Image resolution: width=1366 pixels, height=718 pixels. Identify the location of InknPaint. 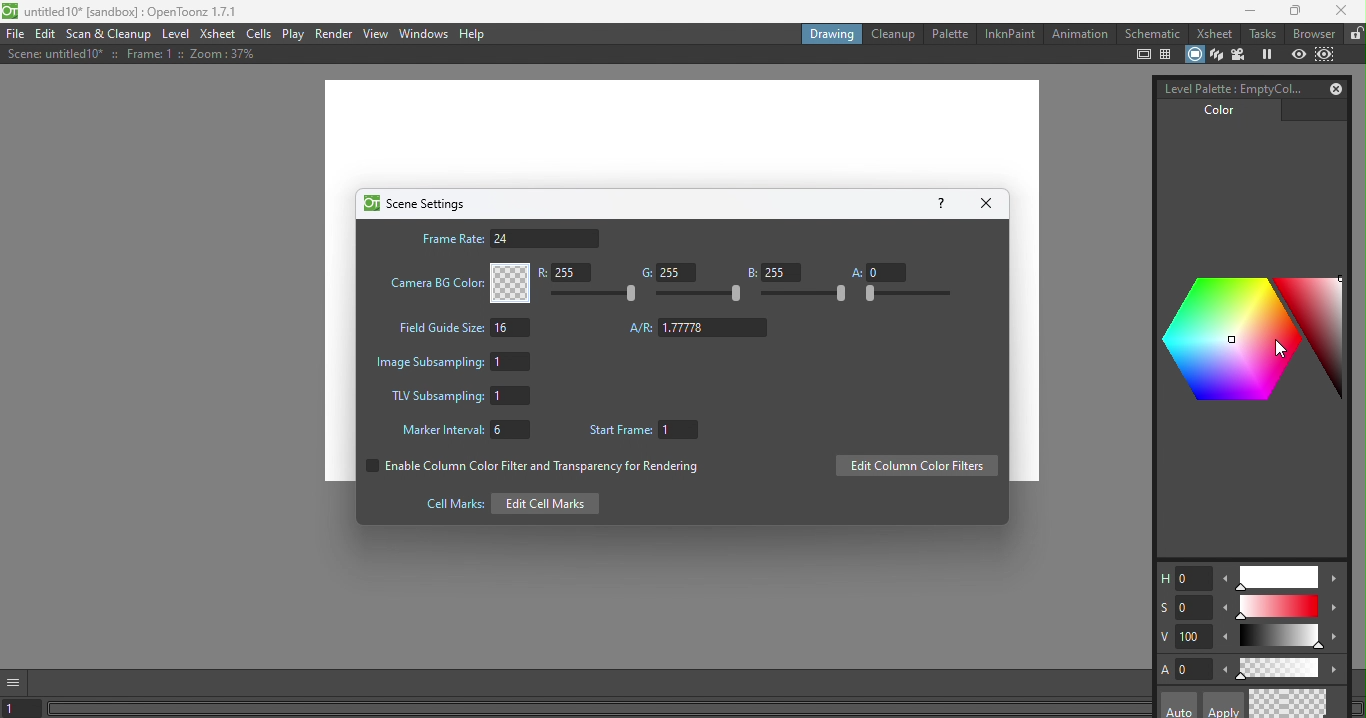
(1009, 32).